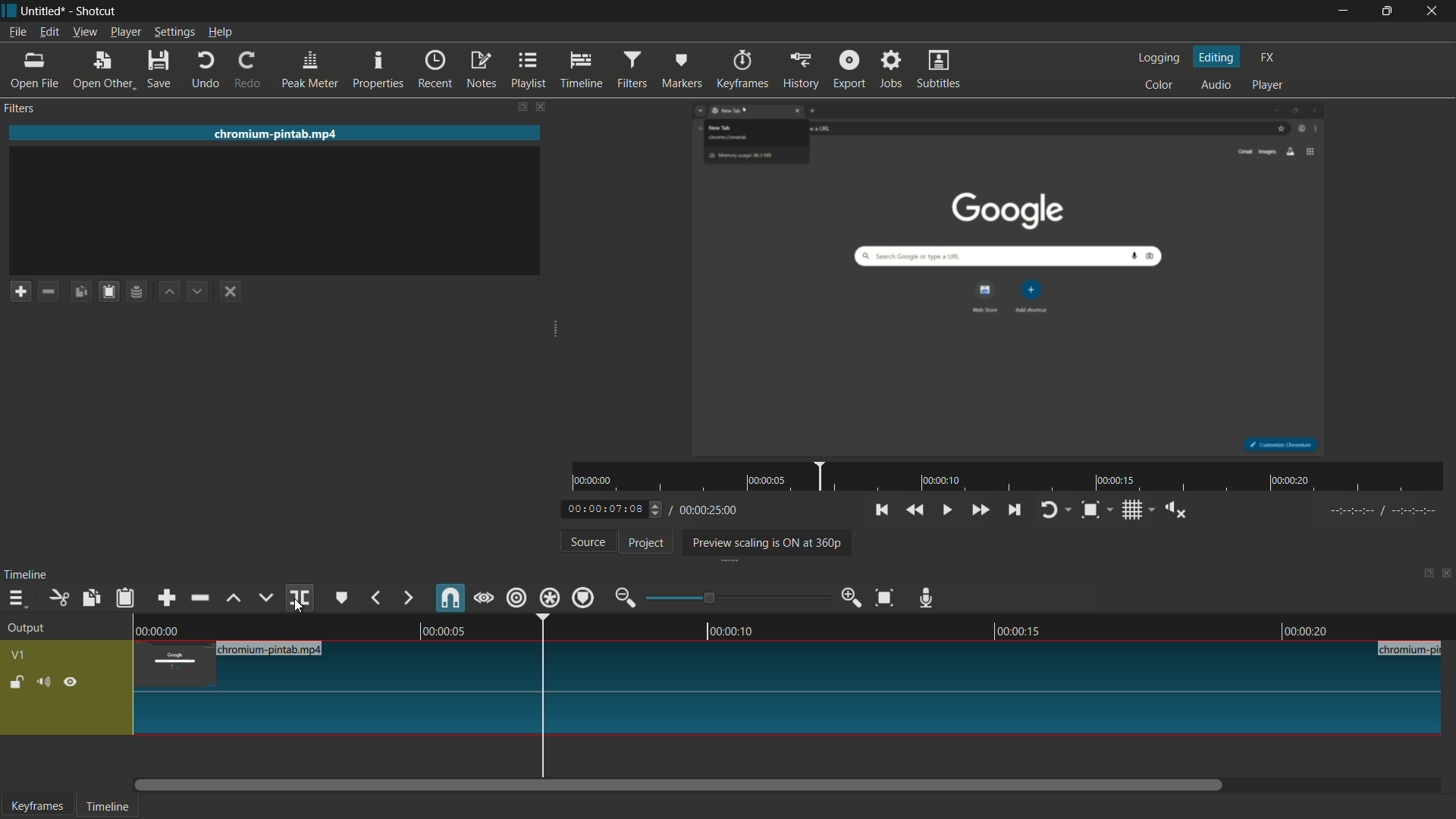 The width and height of the screenshot is (1456, 819). I want to click on skip to the next point, so click(1012, 510).